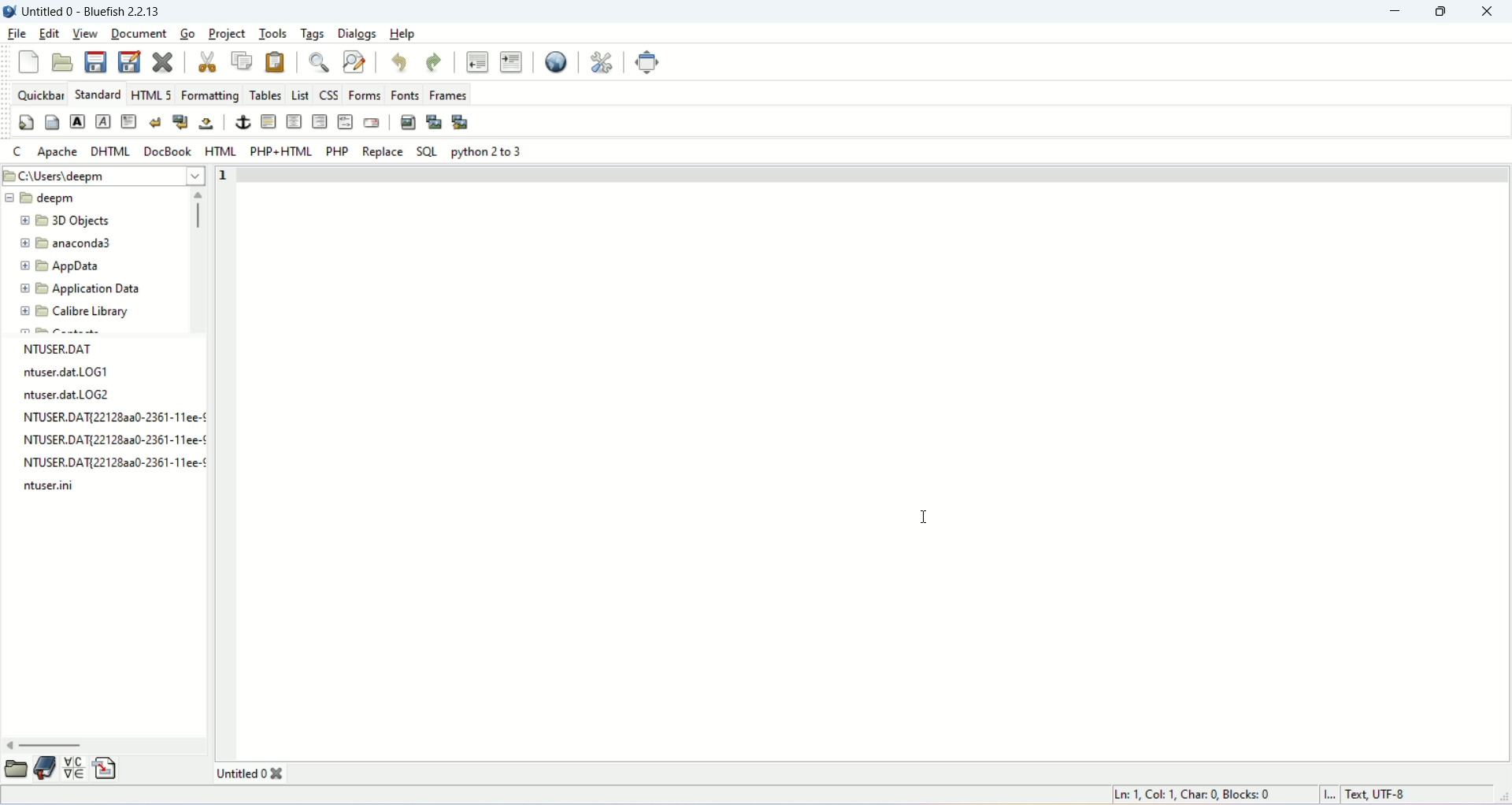 The width and height of the screenshot is (1512, 805). What do you see at coordinates (372, 123) in the screenshot?
I see `email` at bounding box center [372, 123].